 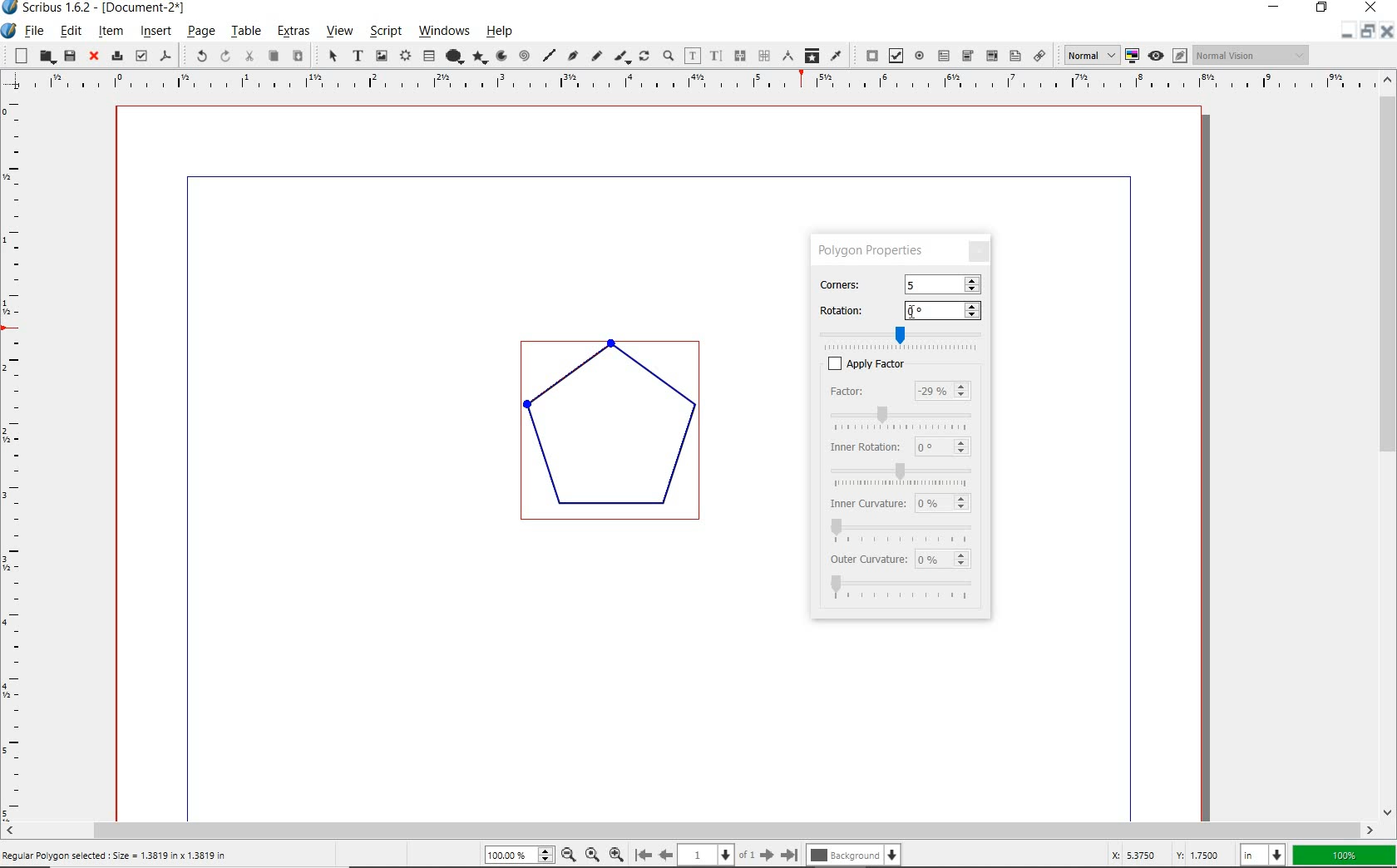 What do you see at coordinates (945, 55) in the screenshot?
I see `pdf text field` at bounding box center [945, 55].